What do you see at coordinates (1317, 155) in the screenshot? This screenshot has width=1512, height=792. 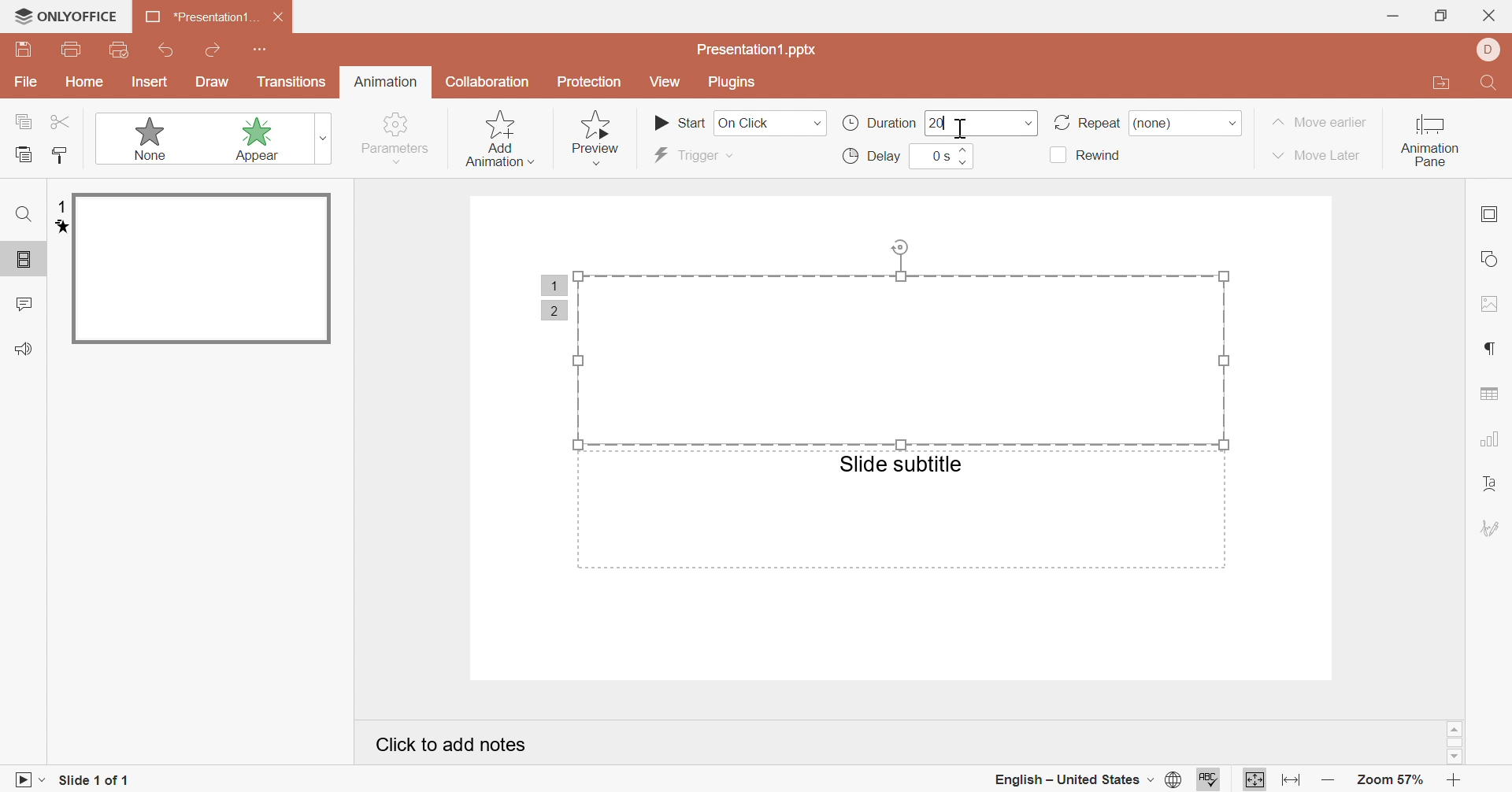 I see `move later` at bounding box center [1317, 155].